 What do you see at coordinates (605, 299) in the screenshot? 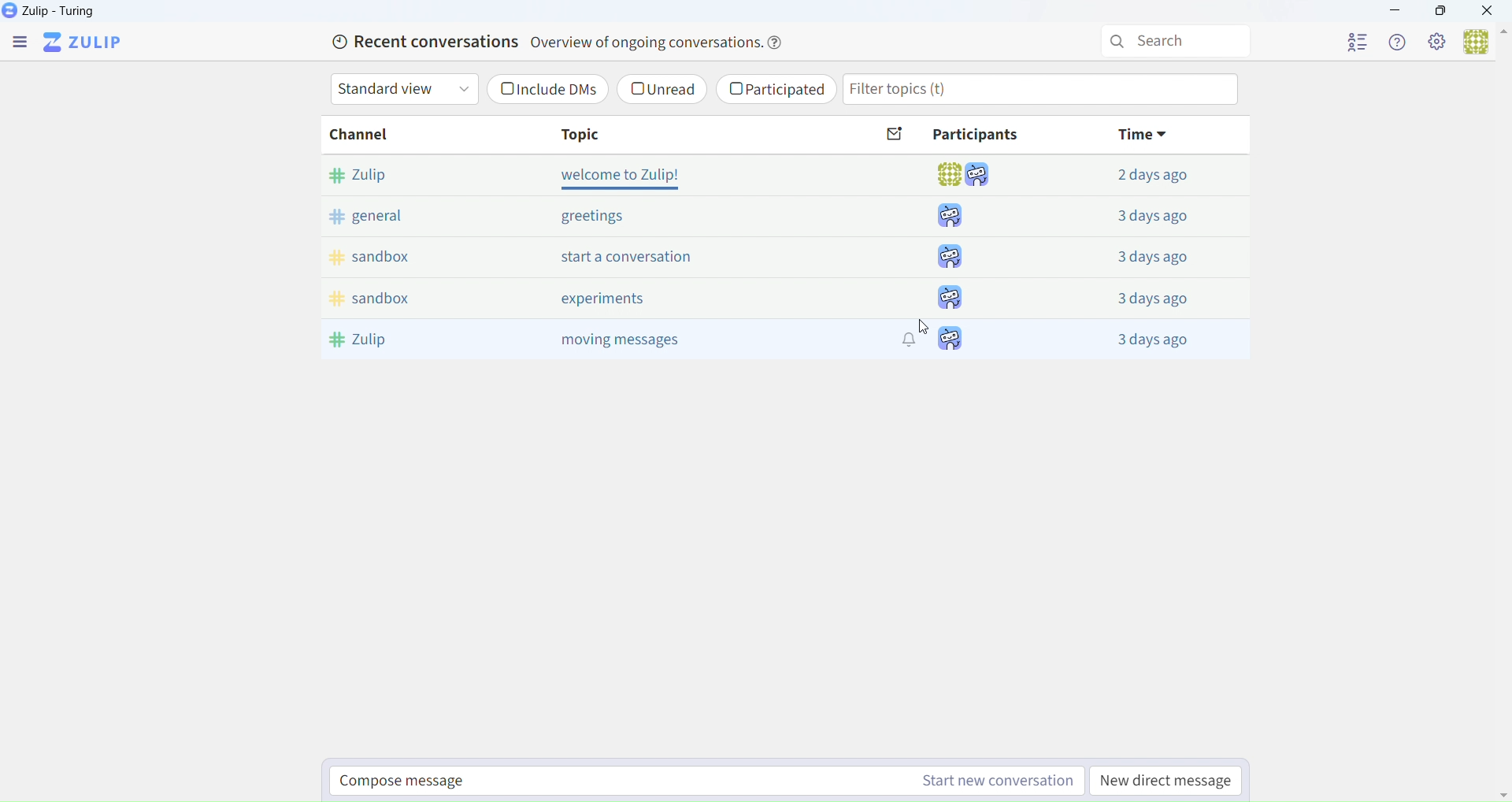
I see `experiments` at bounding box center [605, 299].